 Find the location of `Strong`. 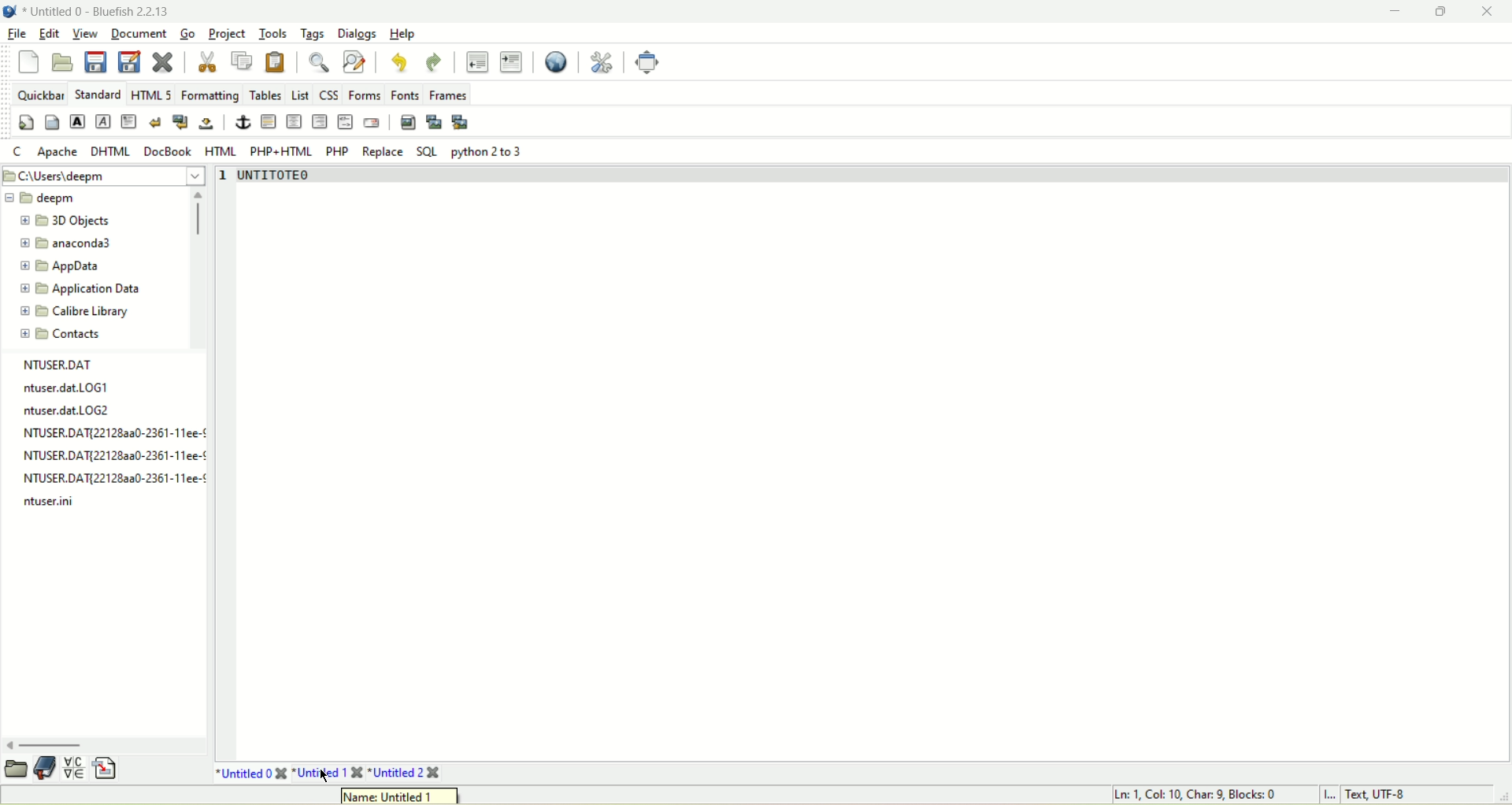

Strong is located at coordinates (76, 120).